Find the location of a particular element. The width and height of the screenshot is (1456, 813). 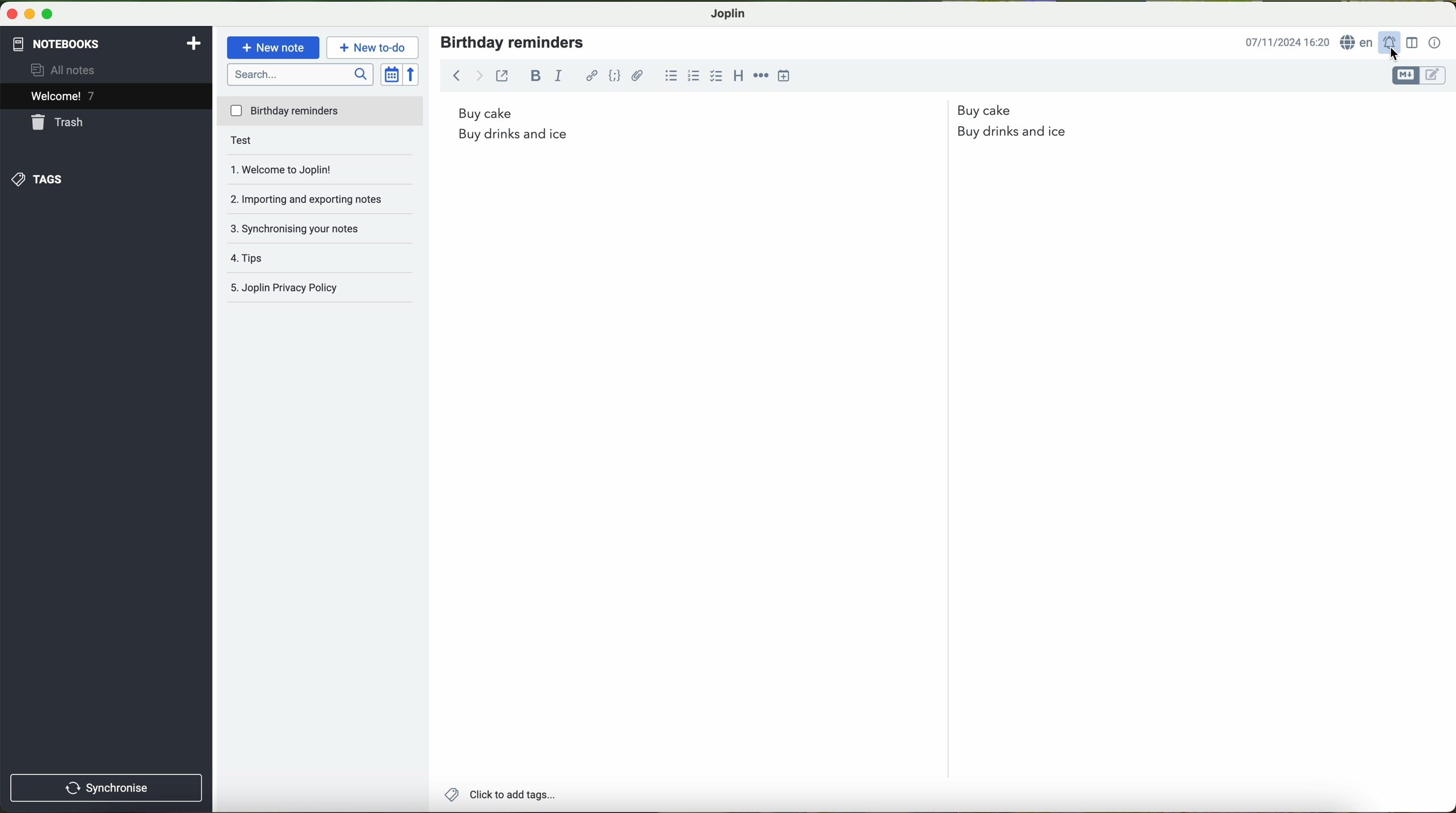

horizontal rule is located at coordinates (761, 76).